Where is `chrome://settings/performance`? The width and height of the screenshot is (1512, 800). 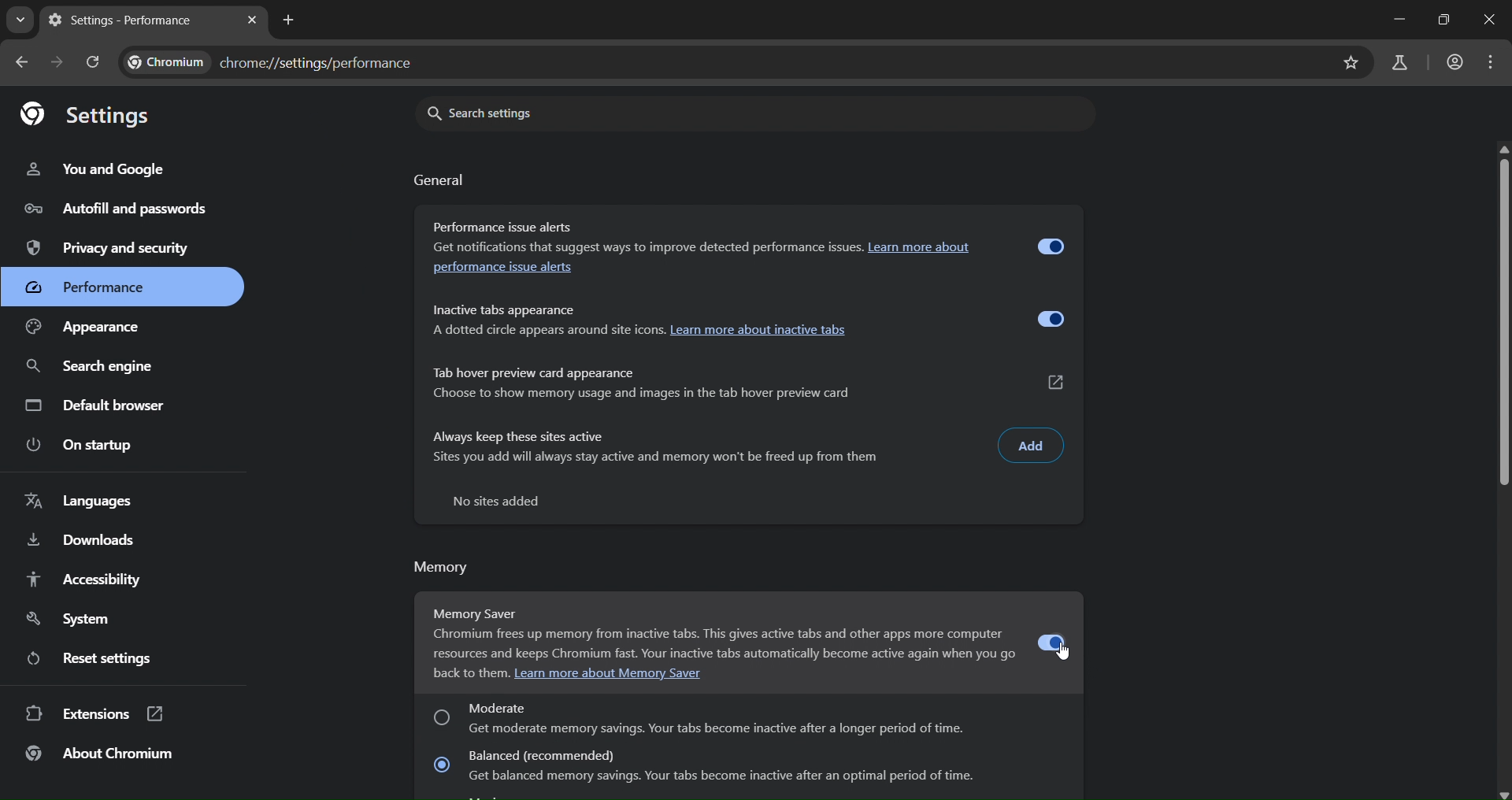 chrome://settings/performance is located at coordinates (276, 64).